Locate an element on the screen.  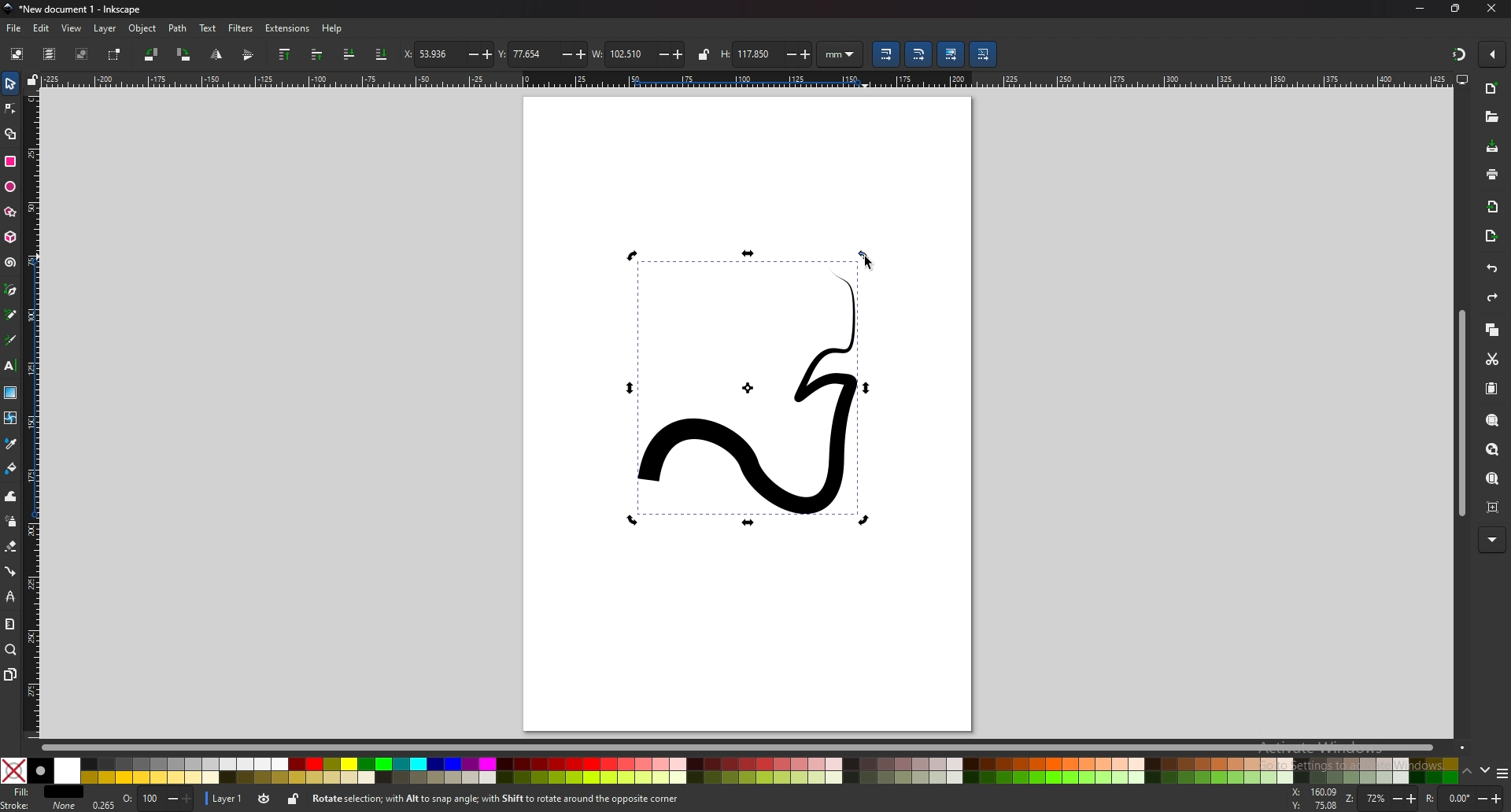
cursor coordinates is located at coordinates (1314, 800).